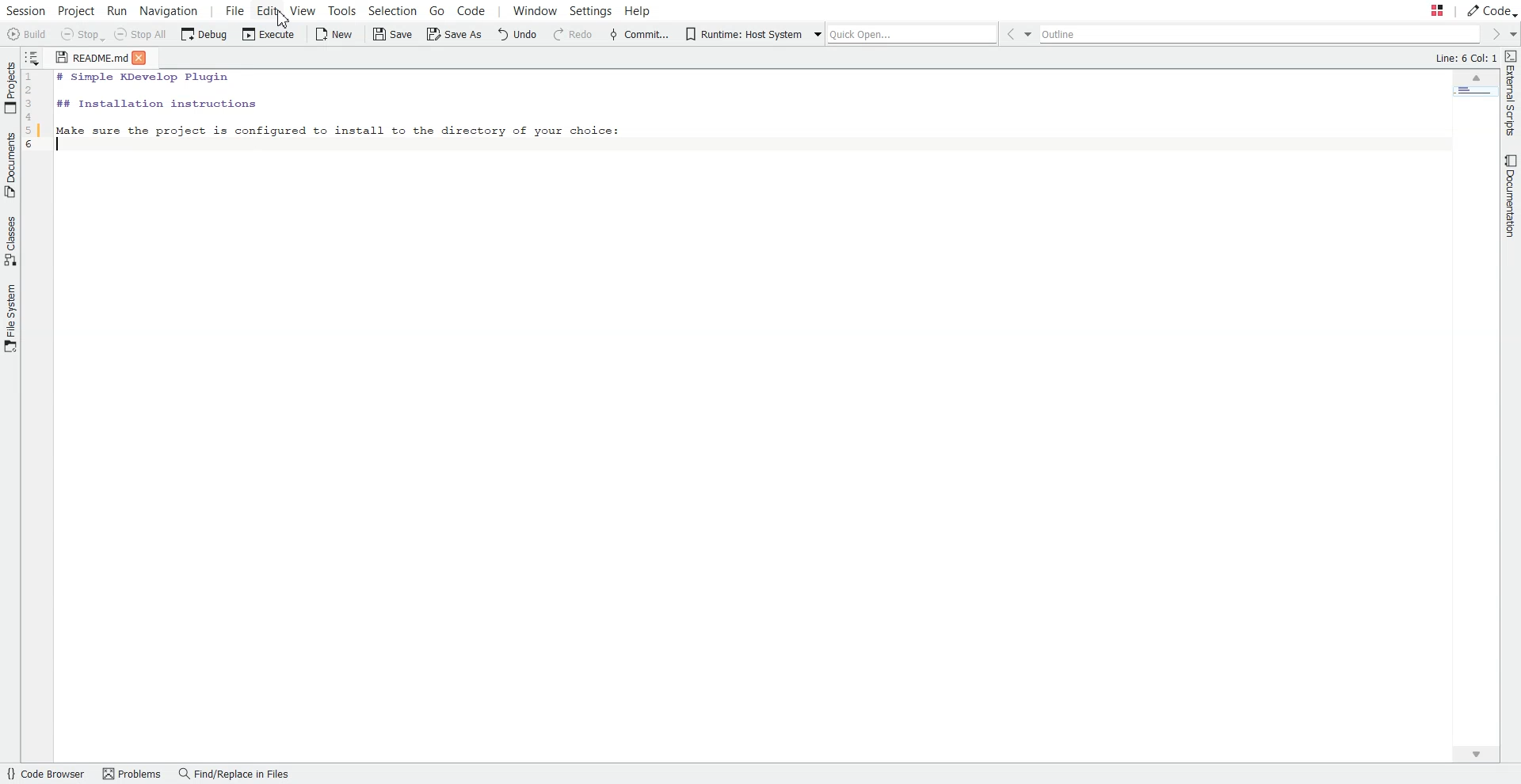 The image size is (1521, 784). Describe the element at coordinates (91, 59) in the screenshot. I see `README.md (document)` at that location.